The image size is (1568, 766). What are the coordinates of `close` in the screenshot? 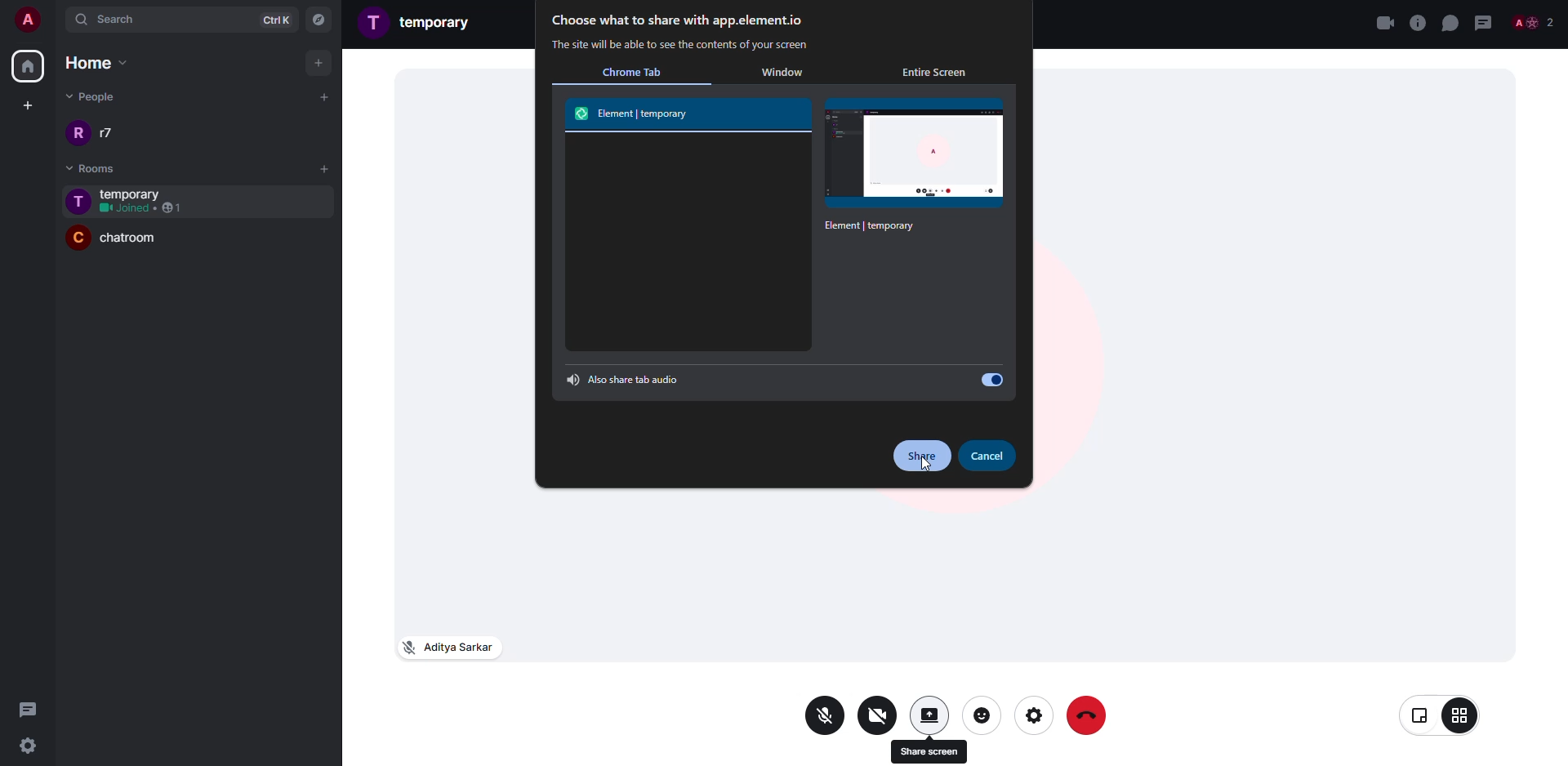 It's located at (1384, 22).